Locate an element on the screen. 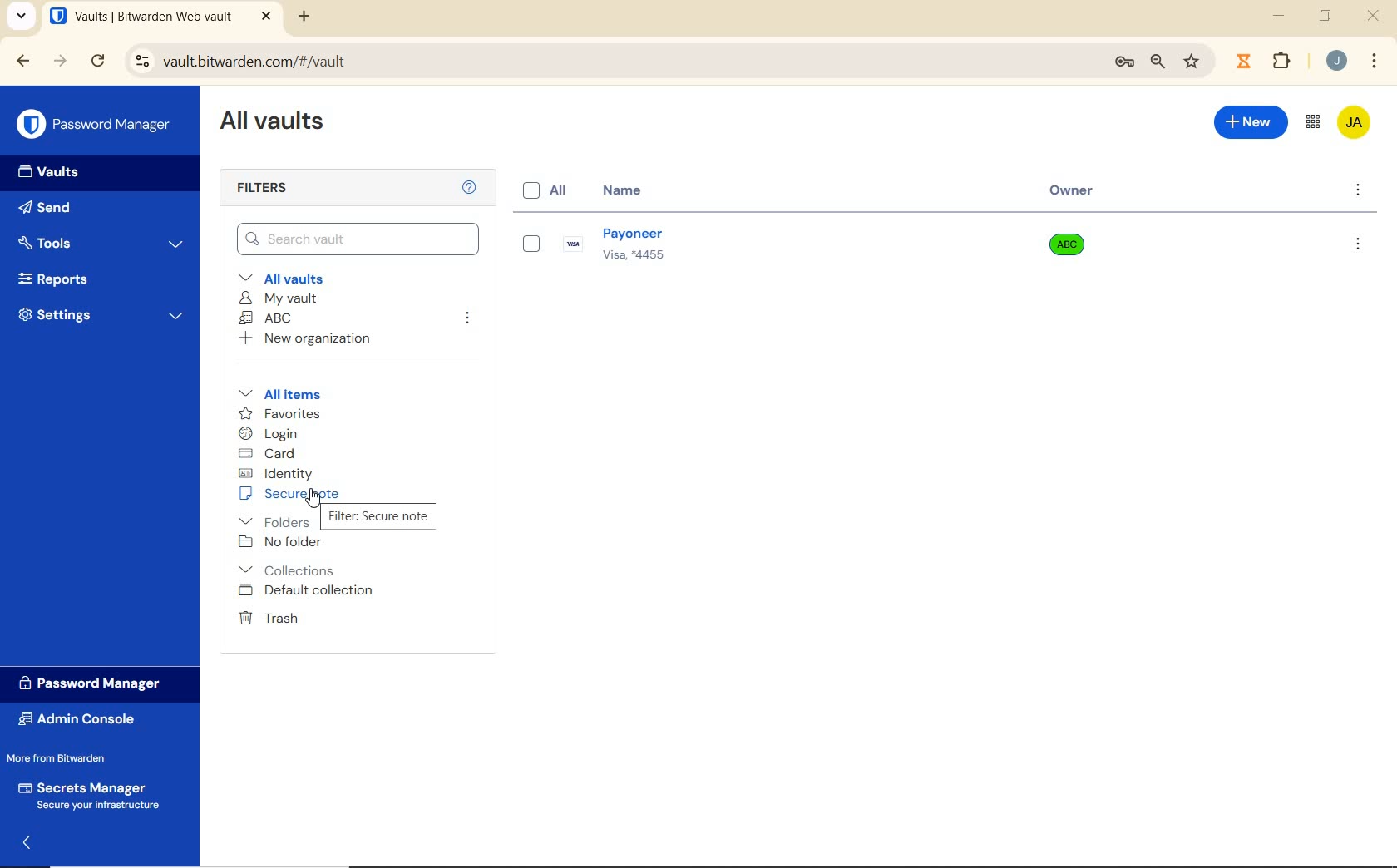 Image resolution: width=1397 pixels, height=868 pixels. Help is located at coordinates (471, 188).